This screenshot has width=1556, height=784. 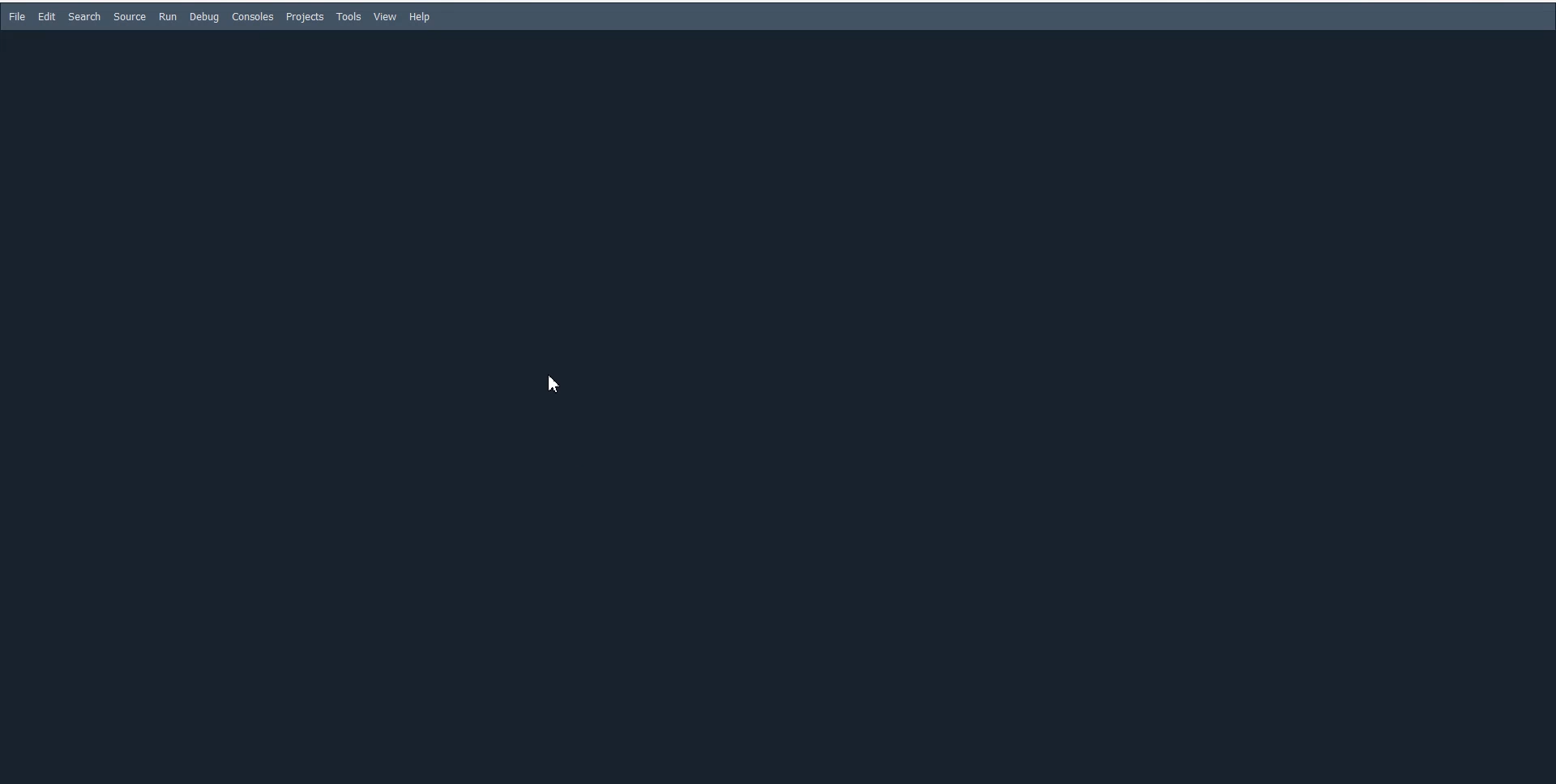 I want to click on Run, so click(x=168, y=16).